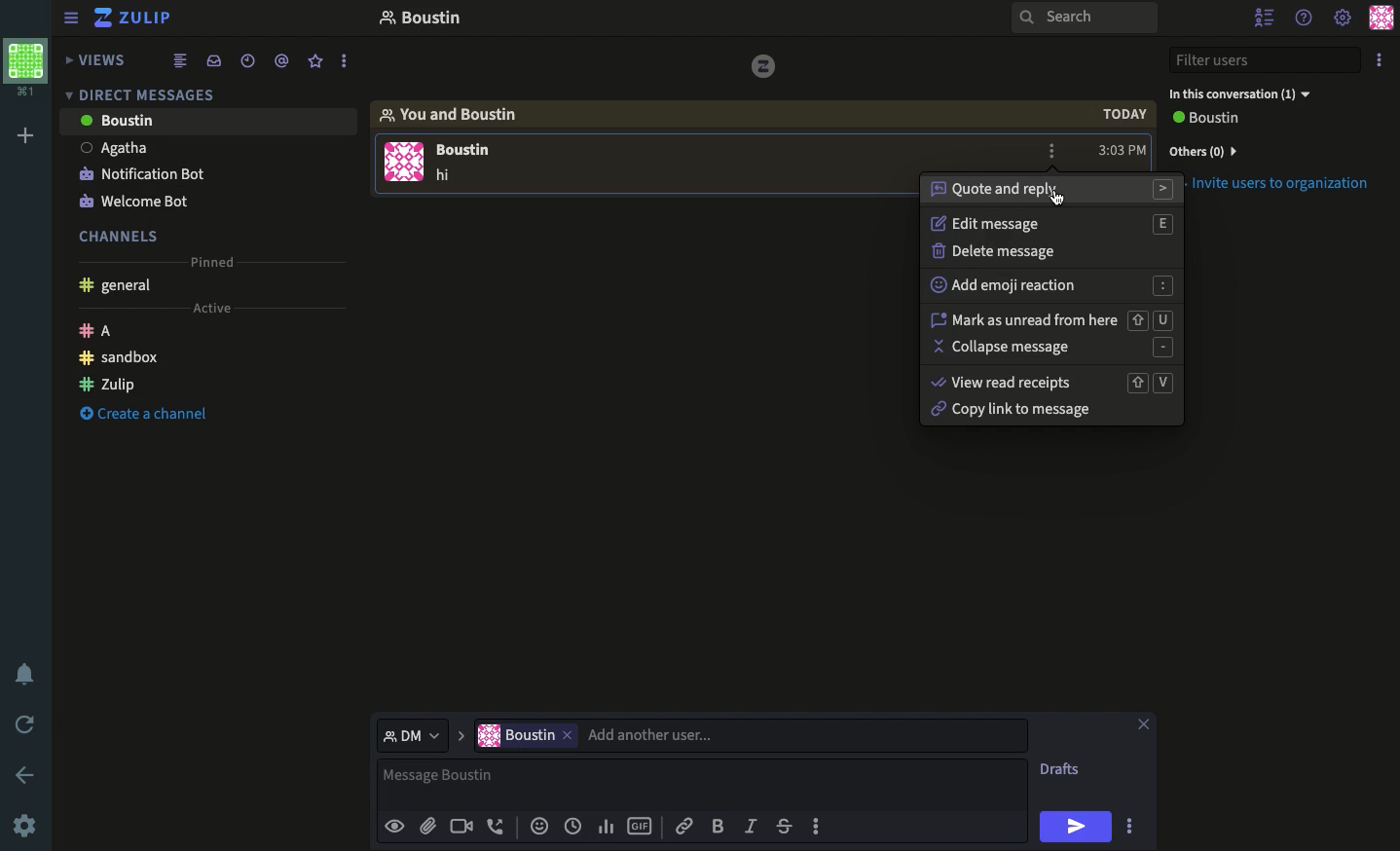 The width and height of the screenshot is (1400, 851). What do you see at coordinates (420, 20) in the screenshot?
I see `Thread name` at bounding box center [420, 20].